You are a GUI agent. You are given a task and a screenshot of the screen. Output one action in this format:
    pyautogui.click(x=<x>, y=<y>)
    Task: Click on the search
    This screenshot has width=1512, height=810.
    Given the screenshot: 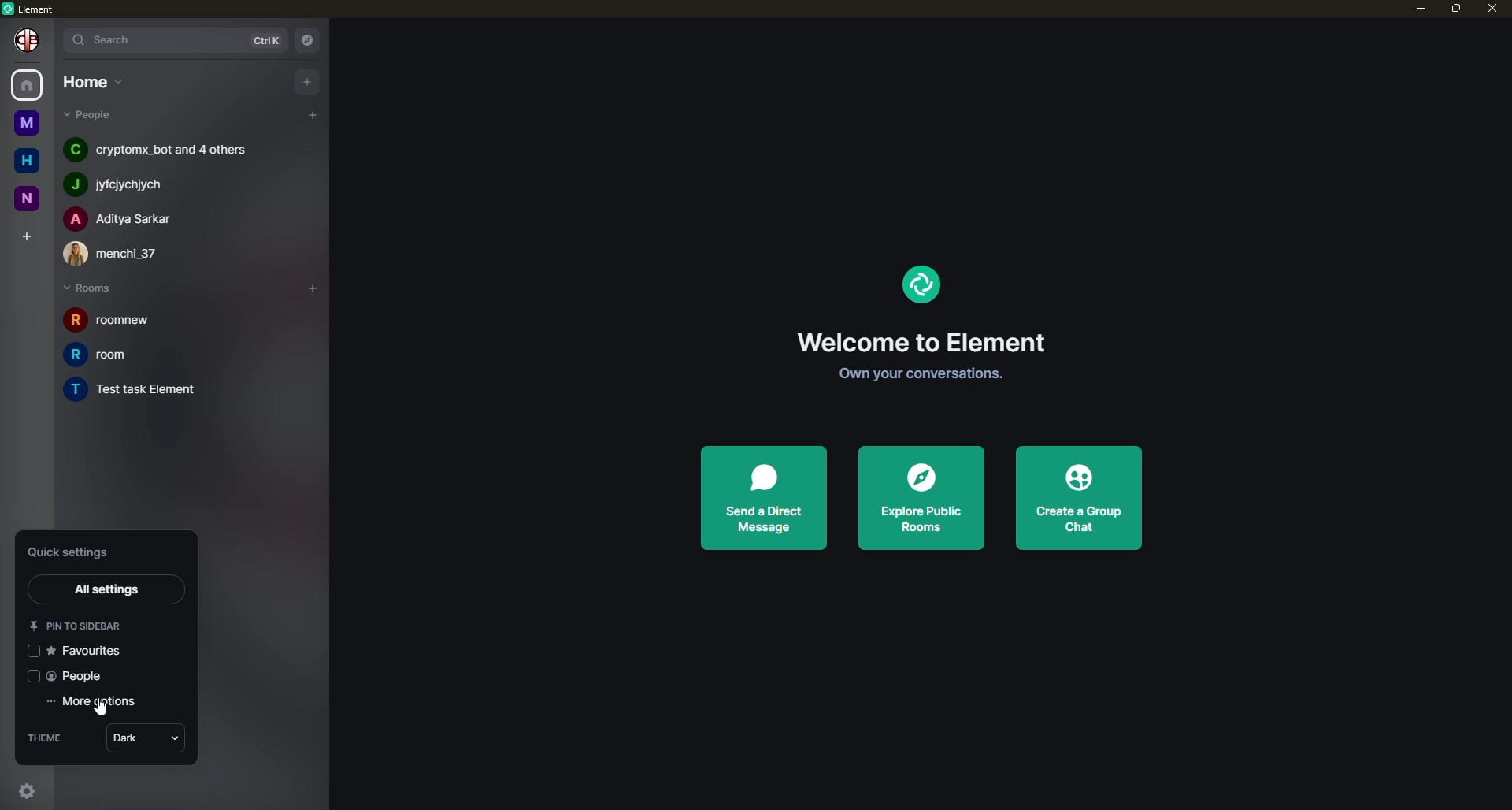 What is the action you would take?
    pyautogui.click(x=110, y=39)
    